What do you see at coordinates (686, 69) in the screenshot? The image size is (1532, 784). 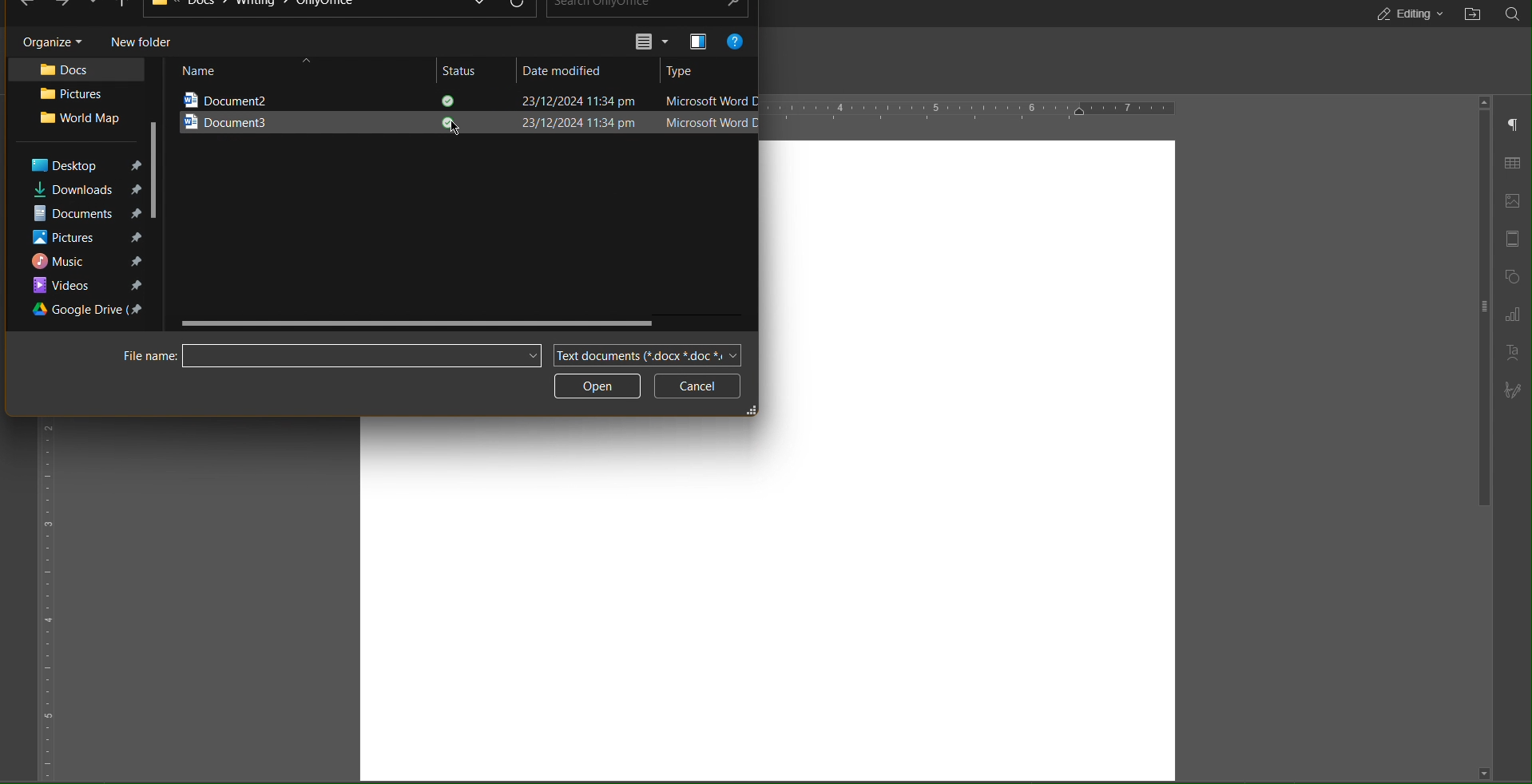 I see `Type` at bounding box center [686, 69].